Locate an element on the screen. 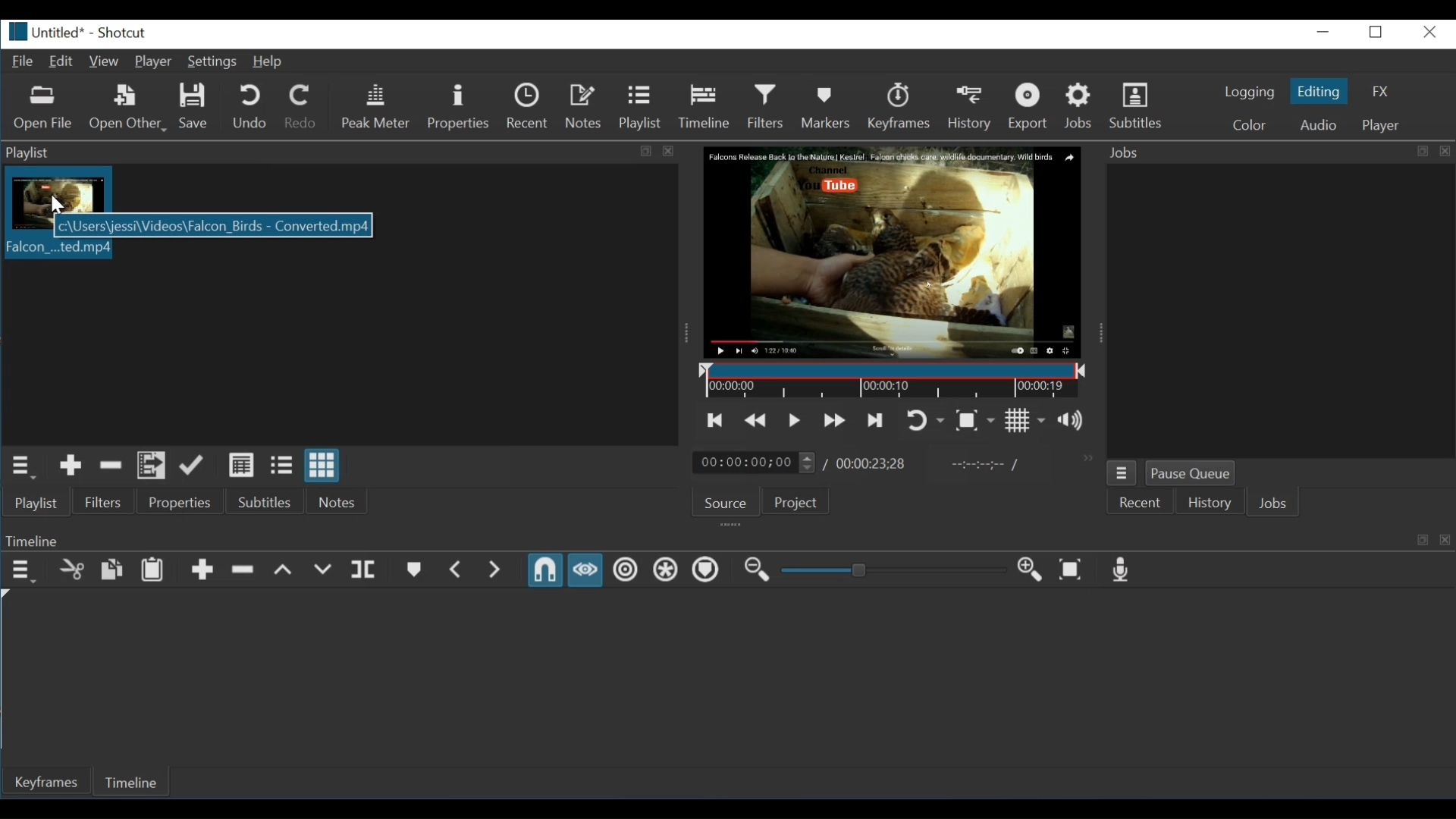 The height and width of the screenshot is (819, 1456). jobs panel is located at coordinates (1280, 309).